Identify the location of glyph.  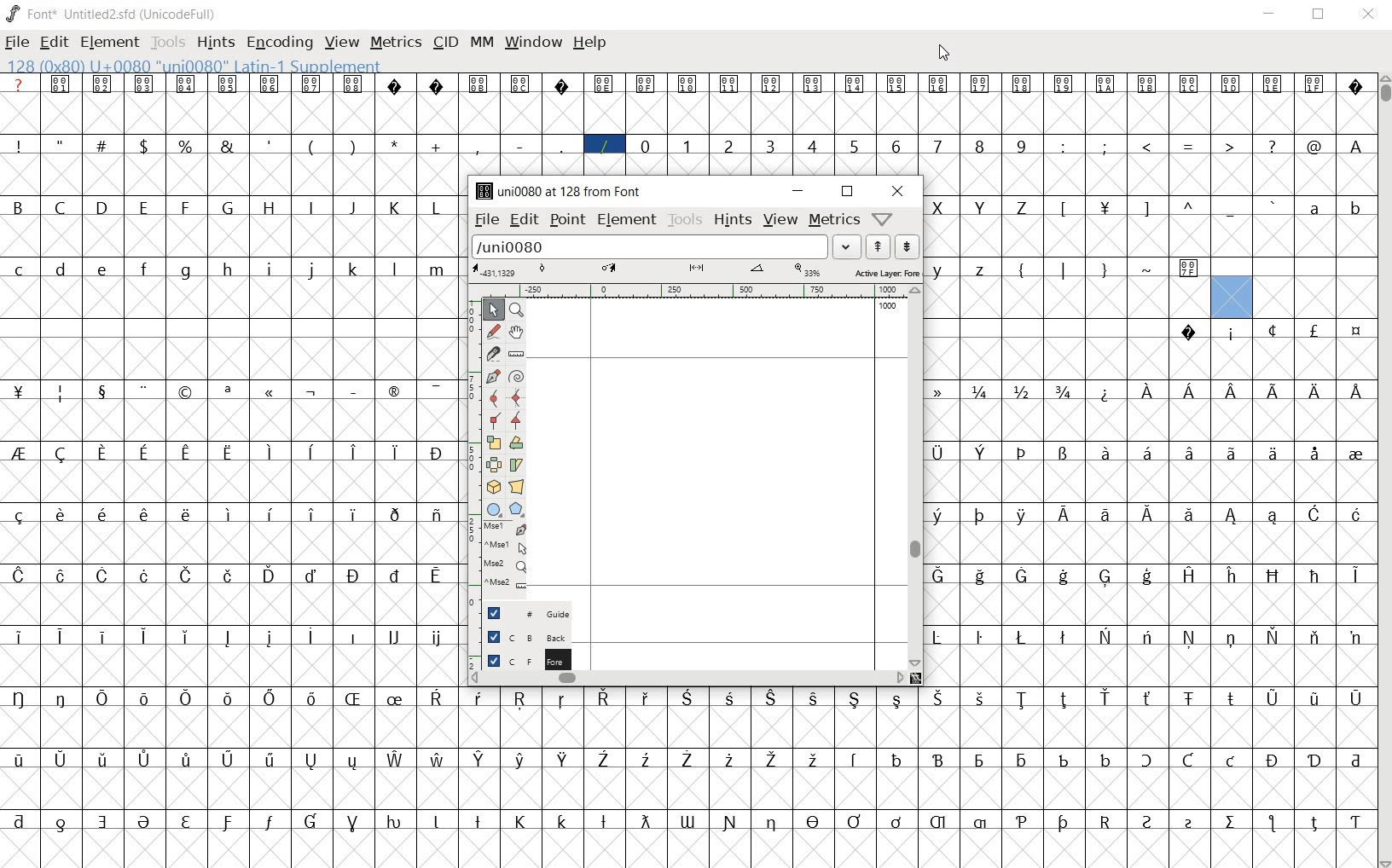
(101, 698).